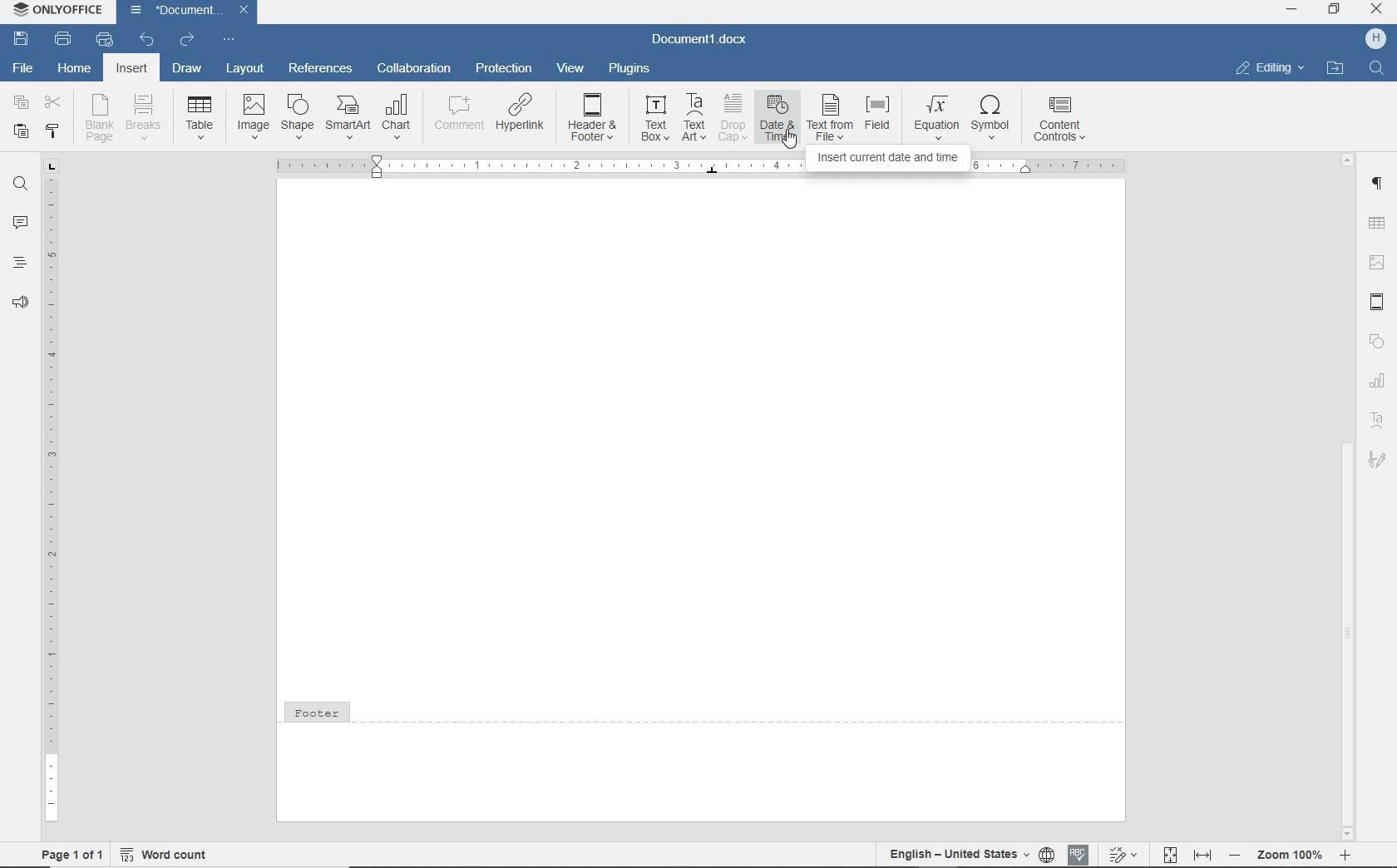 The image size is (1397, 868). Describe the element at coordinates (348, 117) in the screenshot. I see `SmartArt` at that location.